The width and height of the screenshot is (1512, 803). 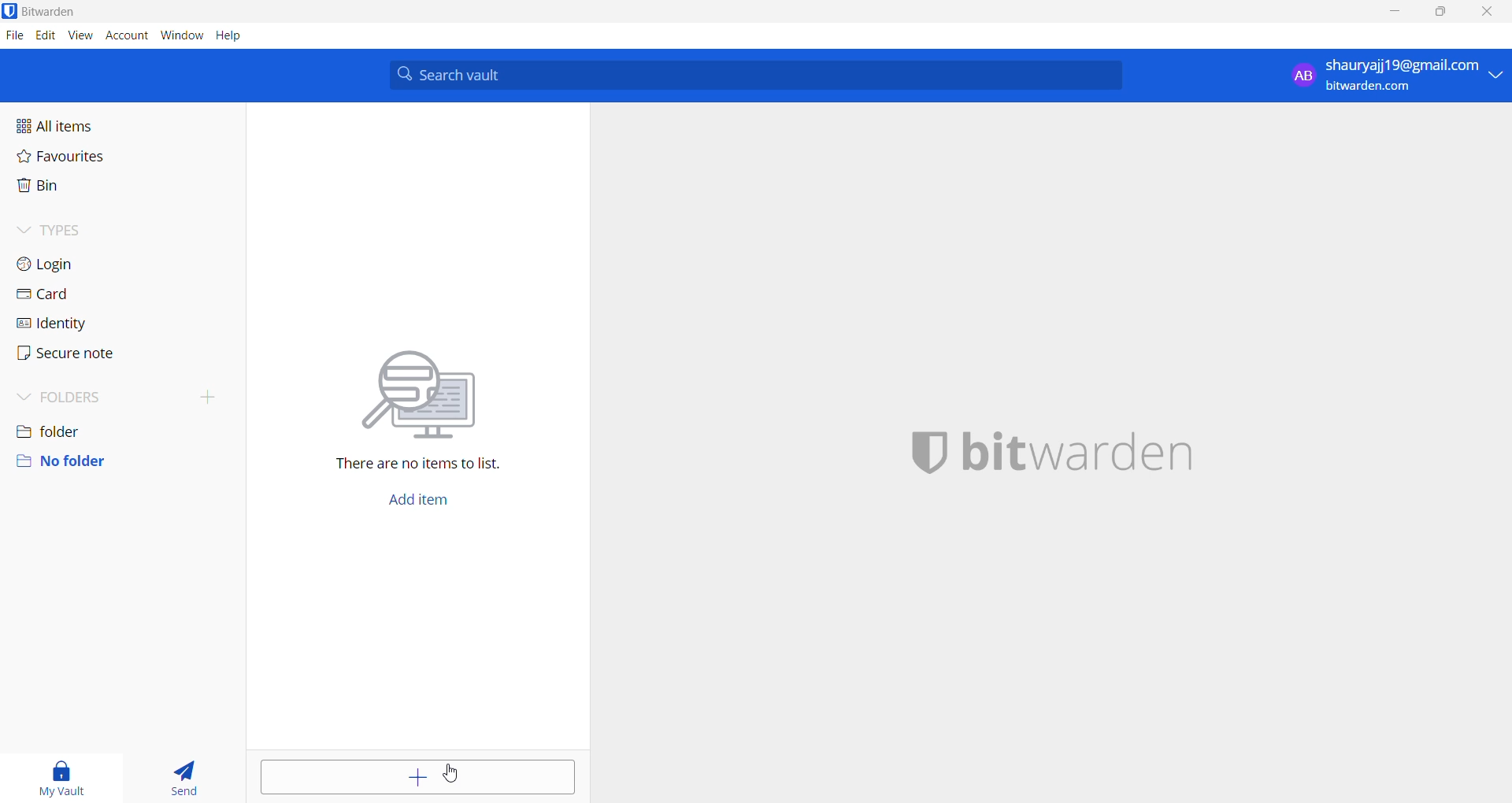 I want to click on maximize, so click(x=1443, y=13).